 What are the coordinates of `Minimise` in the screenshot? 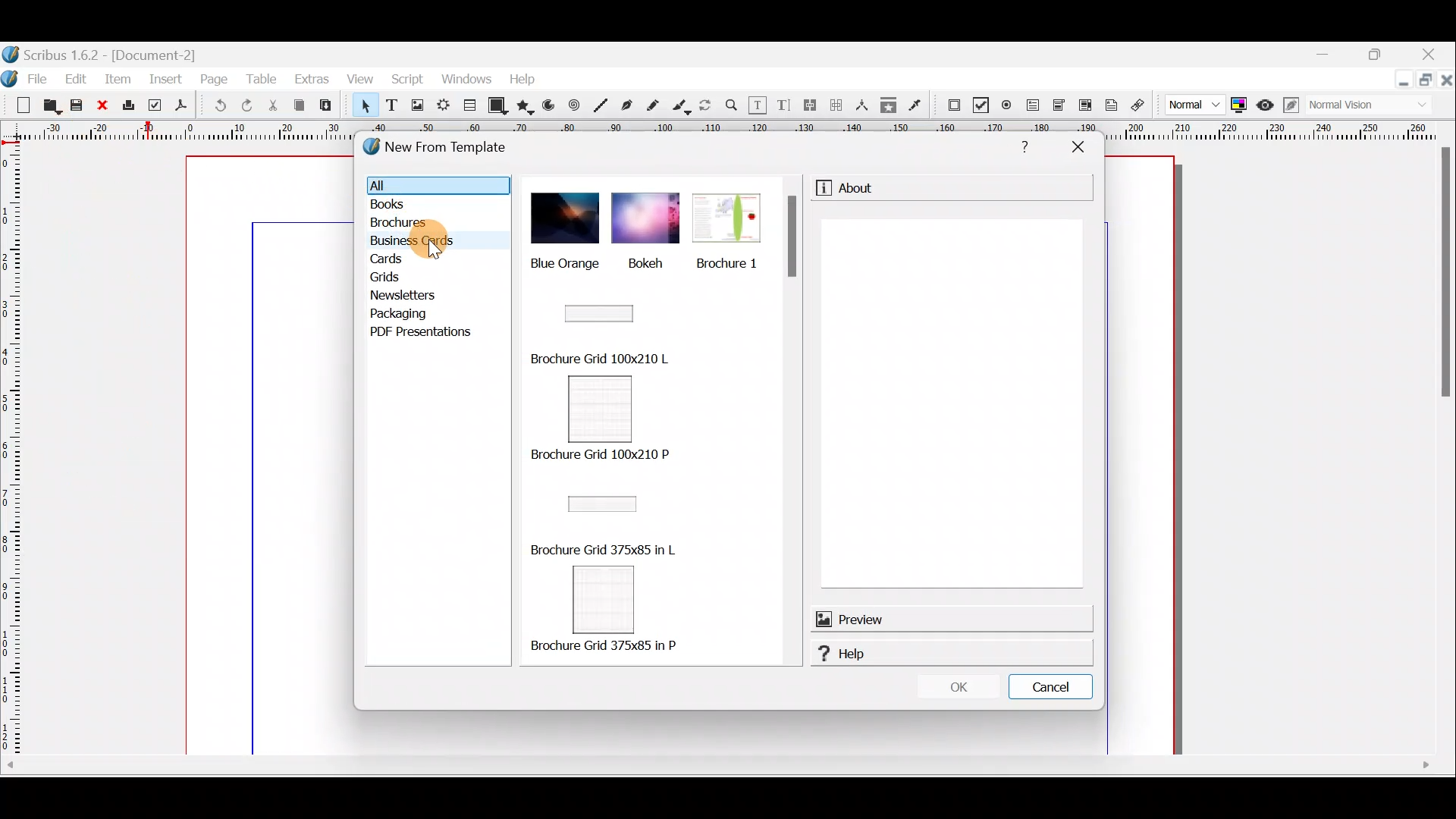 It's located at (1328, 58).